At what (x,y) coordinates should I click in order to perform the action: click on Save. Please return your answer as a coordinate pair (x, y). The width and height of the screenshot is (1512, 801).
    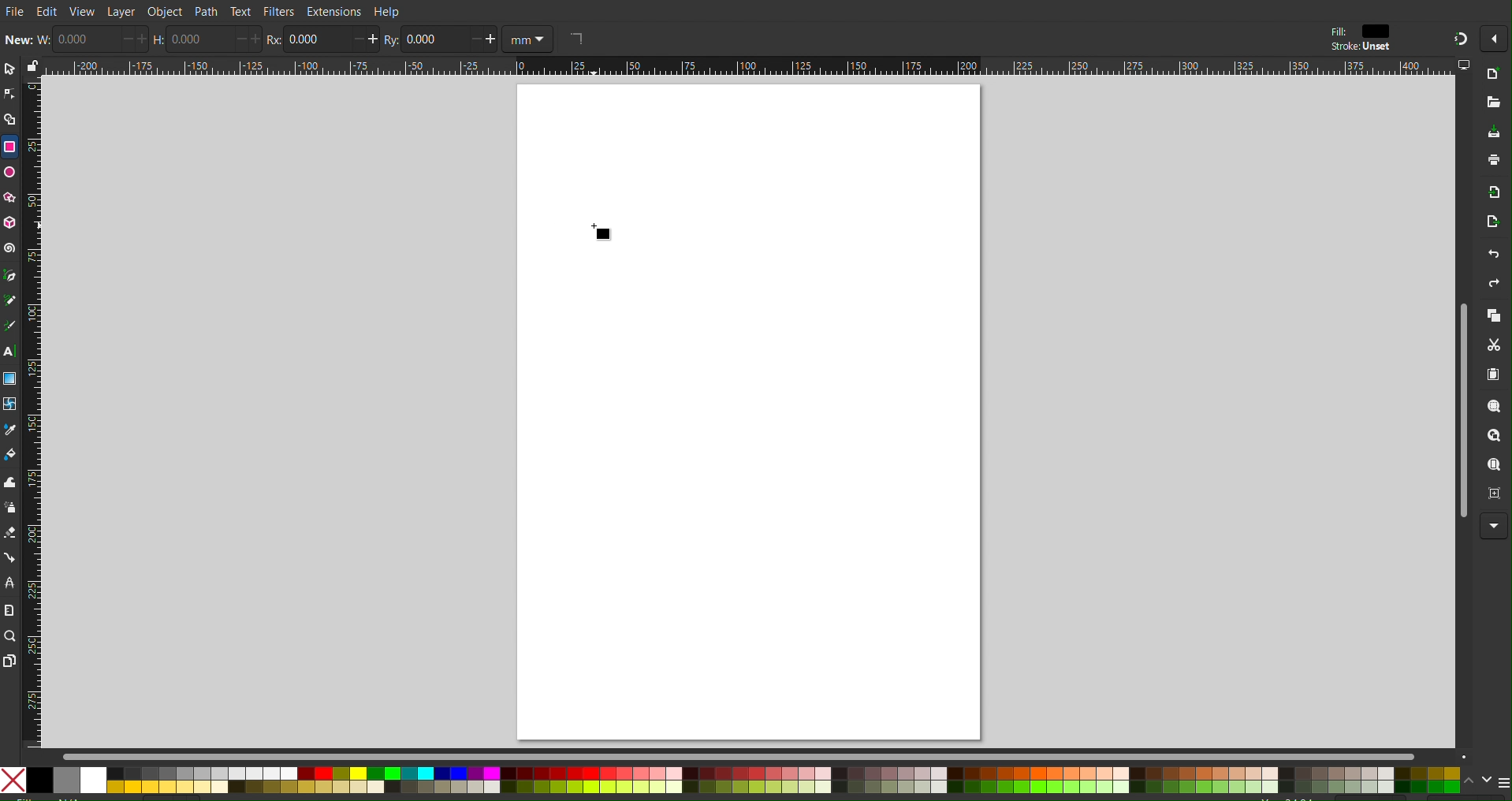
    Looking at the image, I should click on (1490, 132).